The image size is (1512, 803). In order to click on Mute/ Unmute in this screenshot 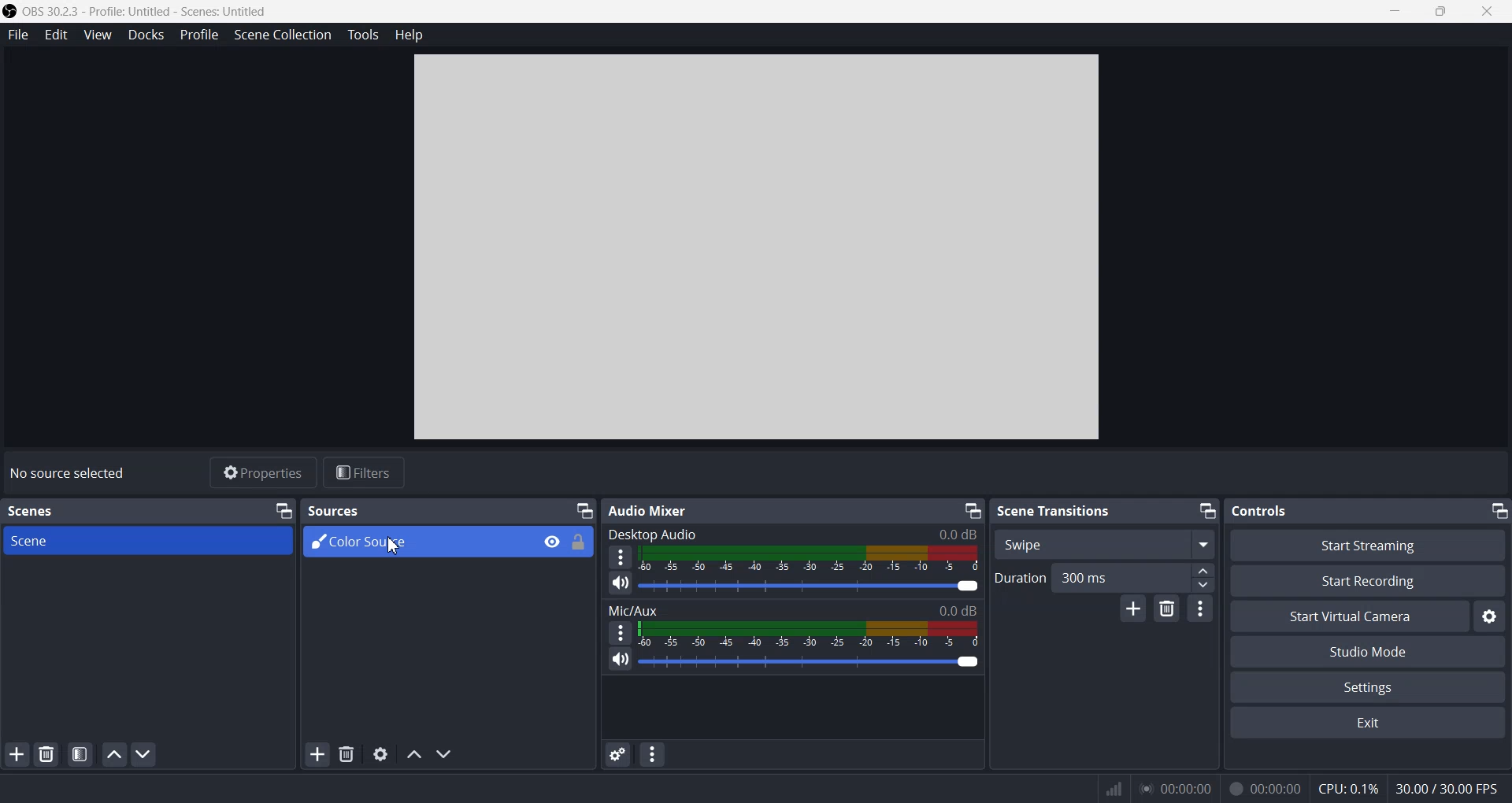, I will do `click(619, 661)`.